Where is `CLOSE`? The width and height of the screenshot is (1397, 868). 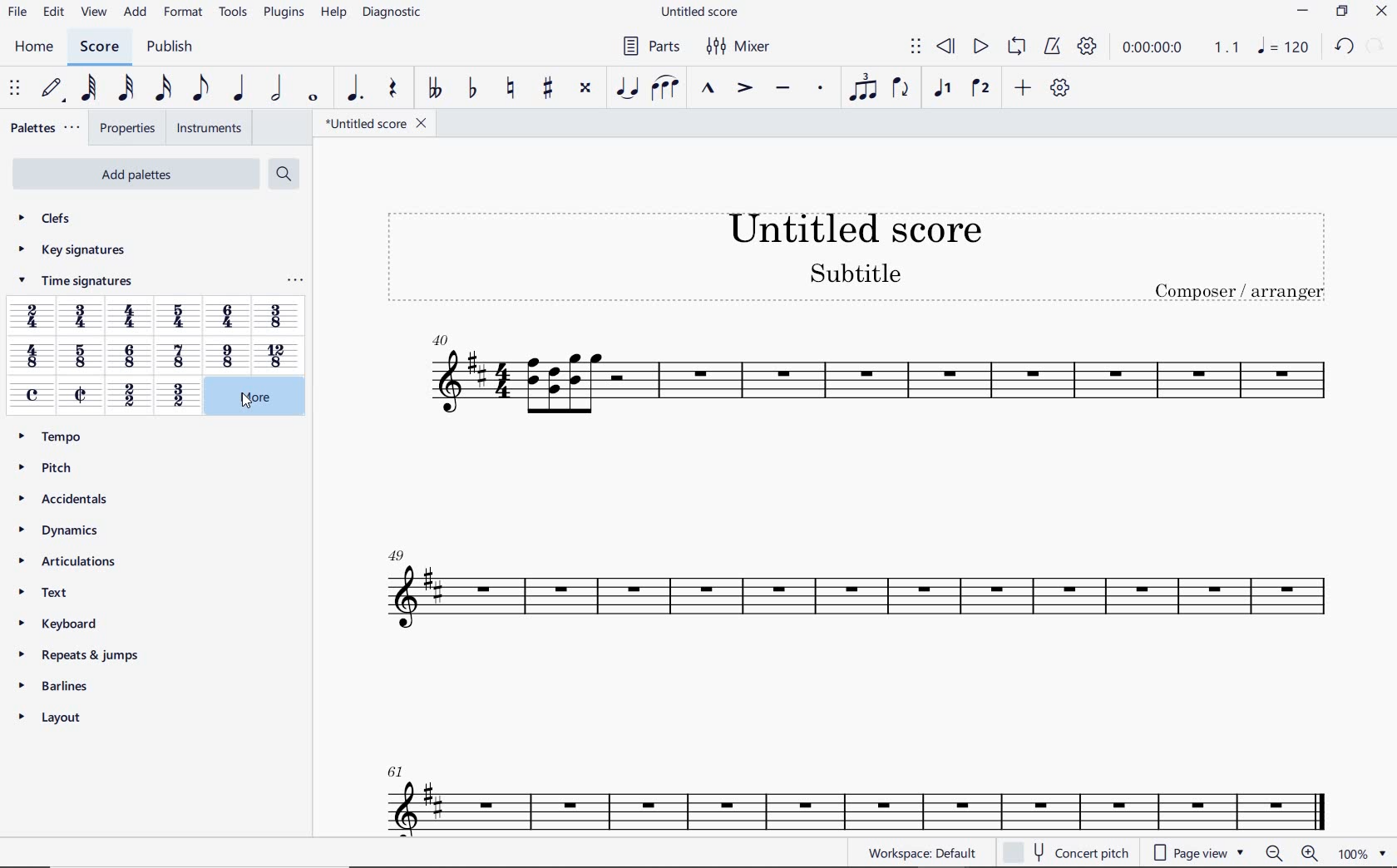
CLOSE is located at coordinates (1381, 12).